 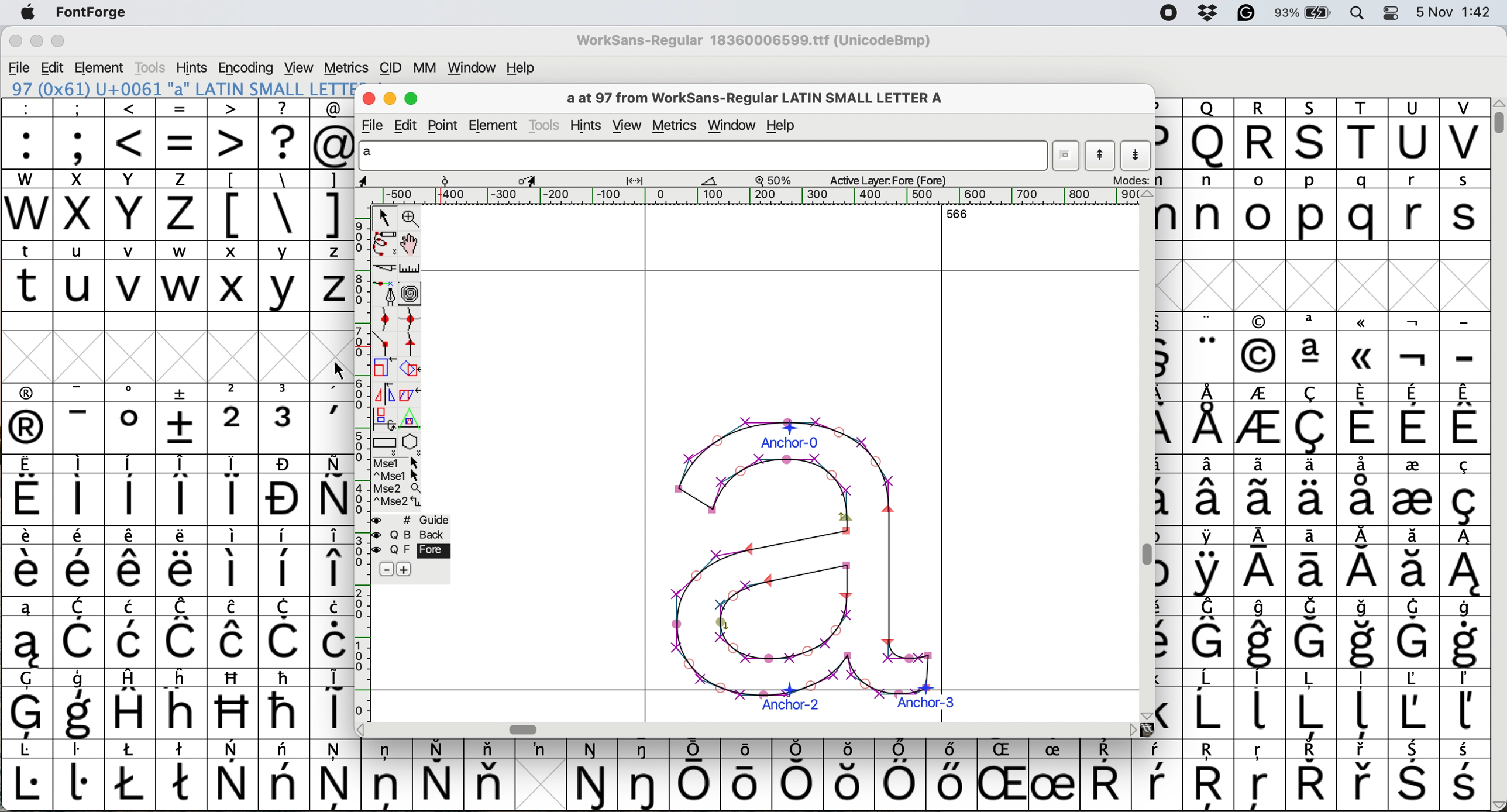 What do you see at coordinates (80, 419) in the screenshot?
I see `symbol` at bounding box center [80, 419].